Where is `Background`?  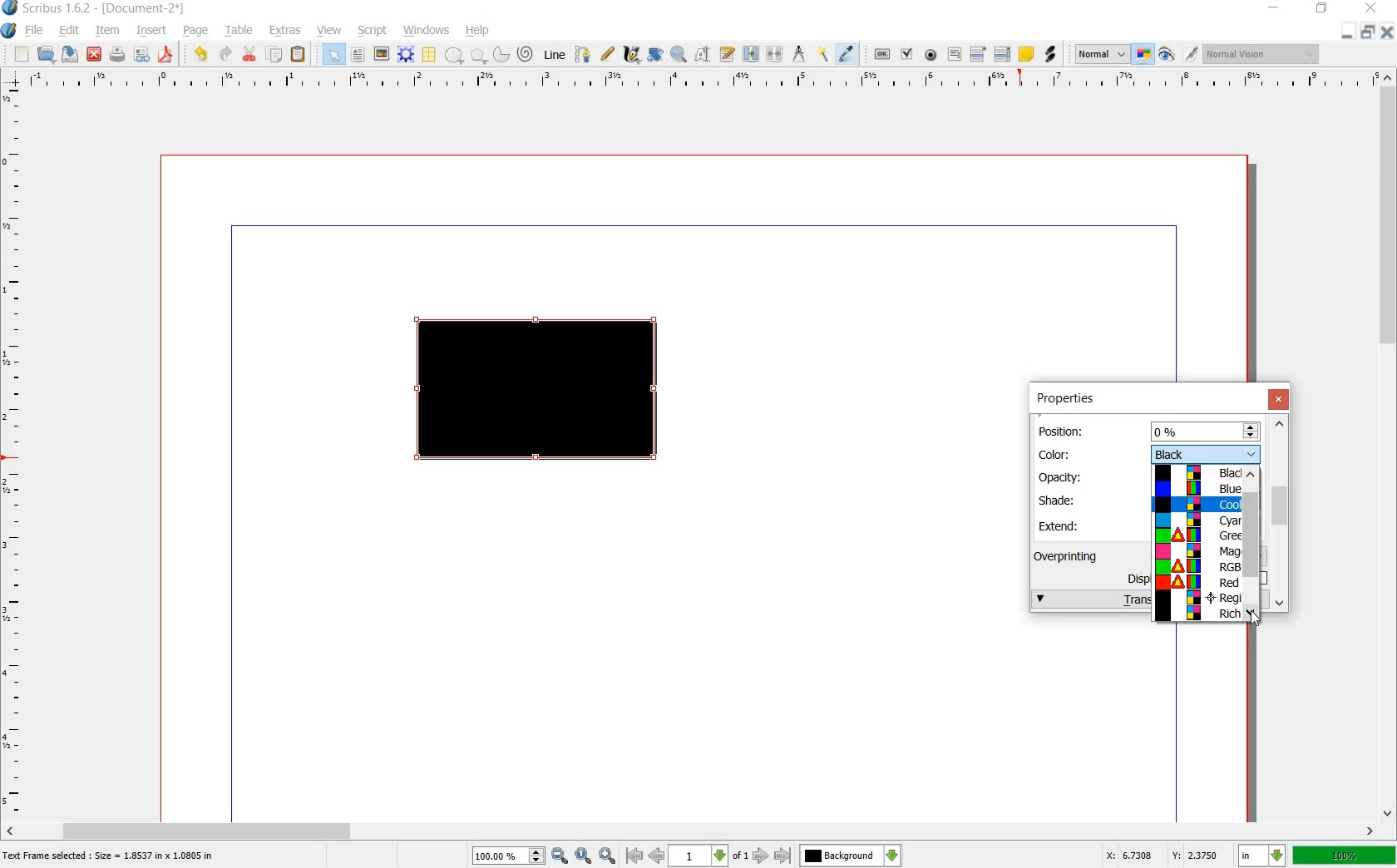 Background is located at coordinates (851, 856).